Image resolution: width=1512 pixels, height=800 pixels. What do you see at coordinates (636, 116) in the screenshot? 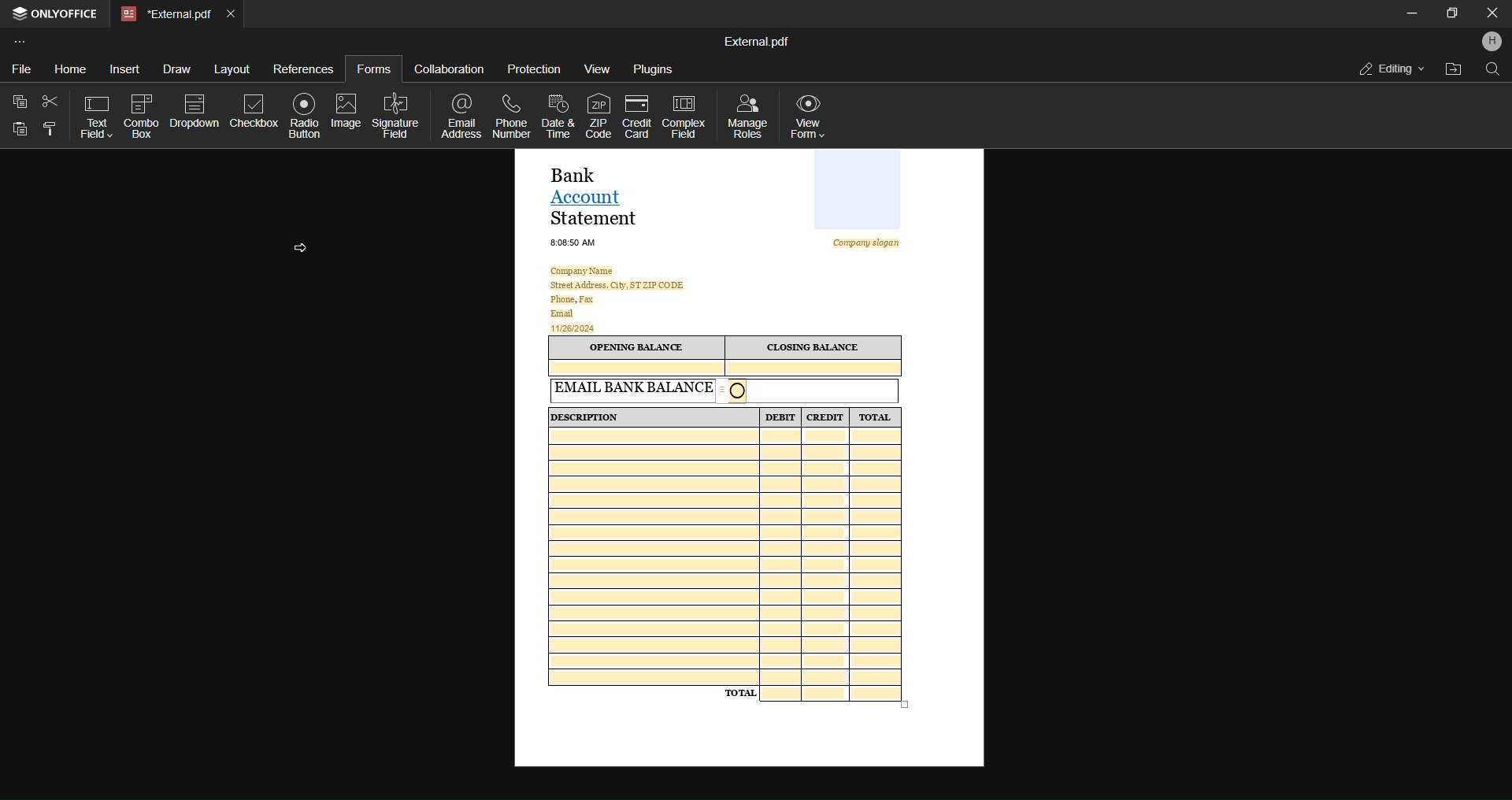
I see `credit card` at bounding box center [636, 116].